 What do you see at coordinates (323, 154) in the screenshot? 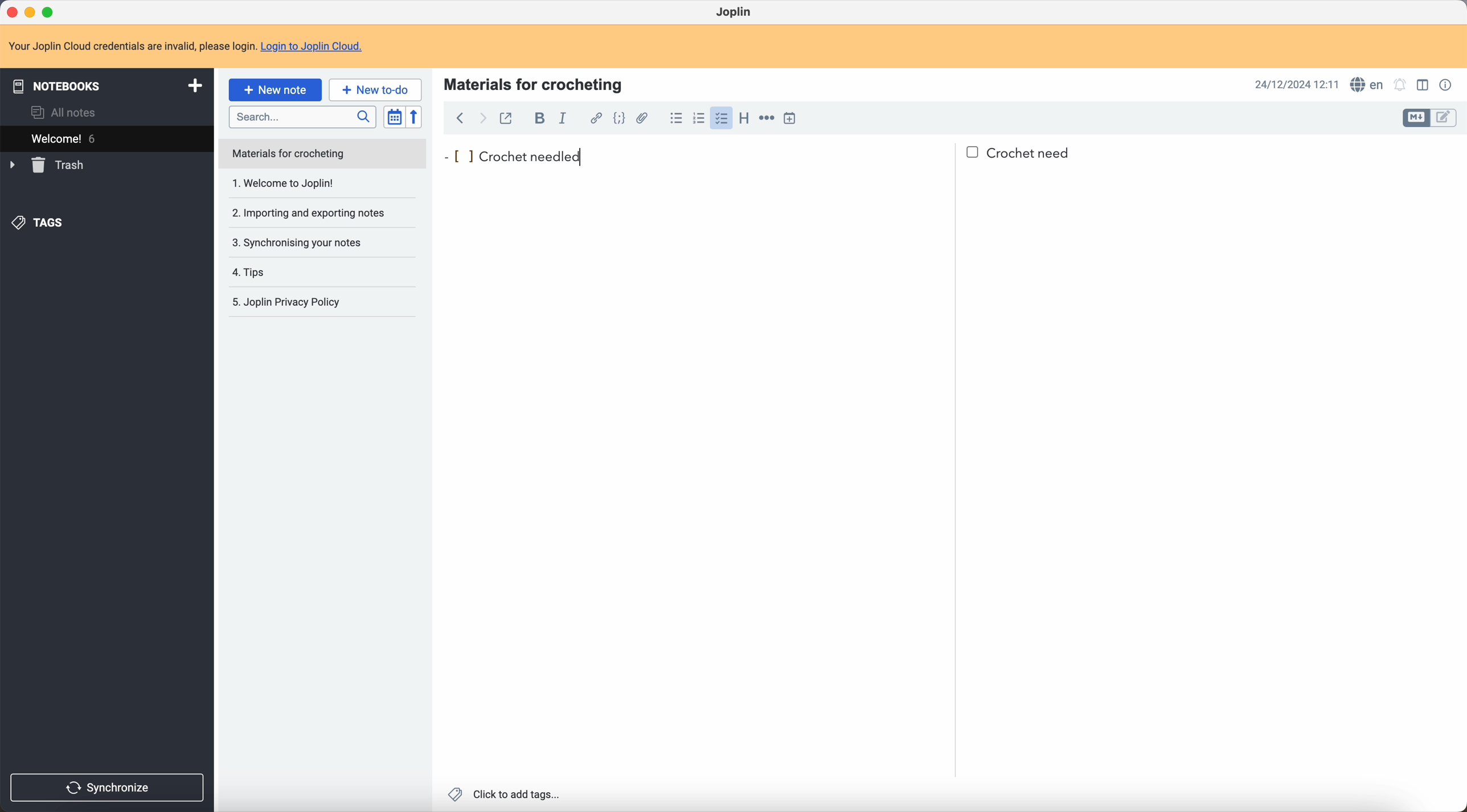
I see `note` at bounding box center [323, 154].